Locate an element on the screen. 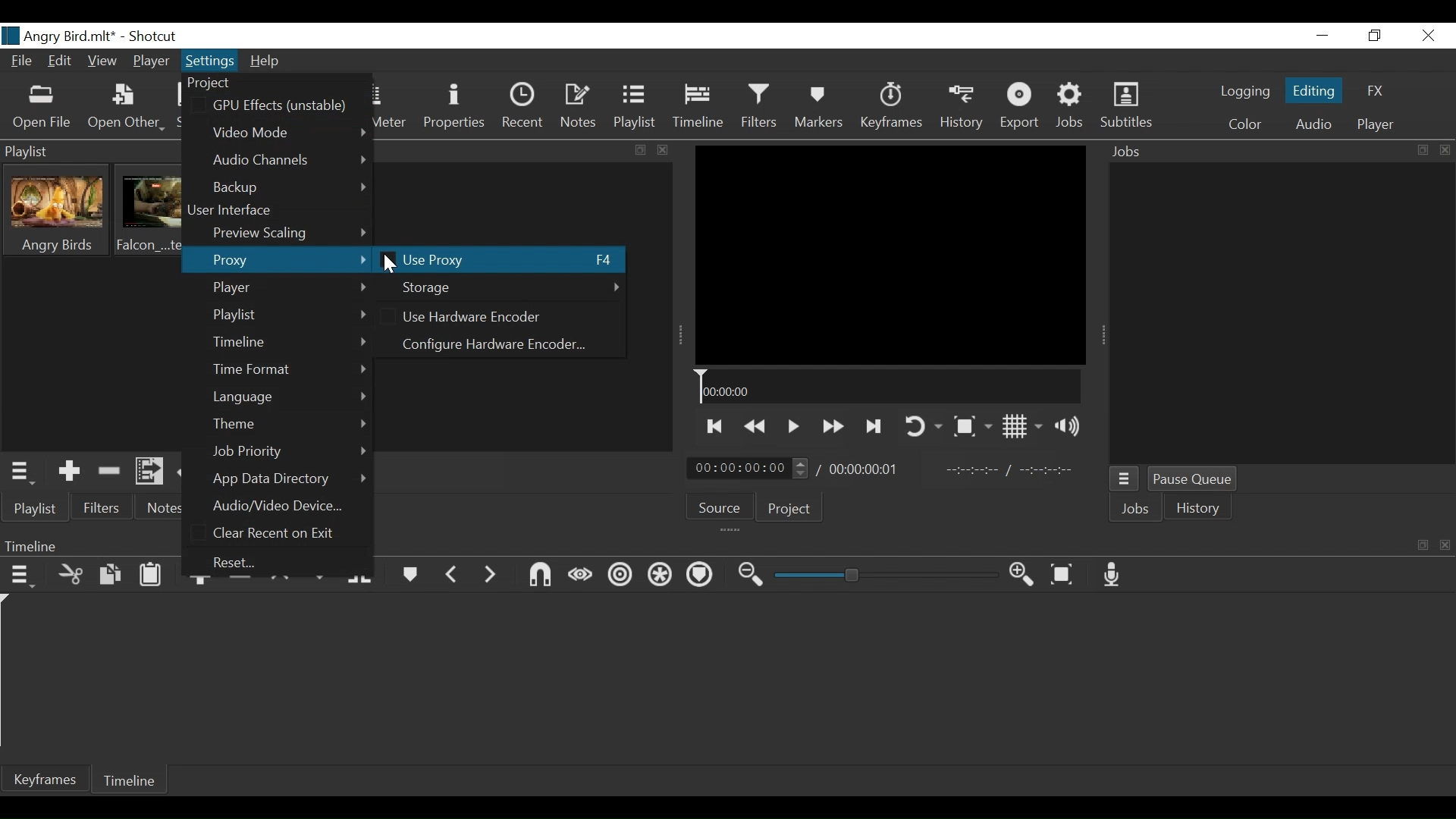  Snap is located at coordinates (536, 575).